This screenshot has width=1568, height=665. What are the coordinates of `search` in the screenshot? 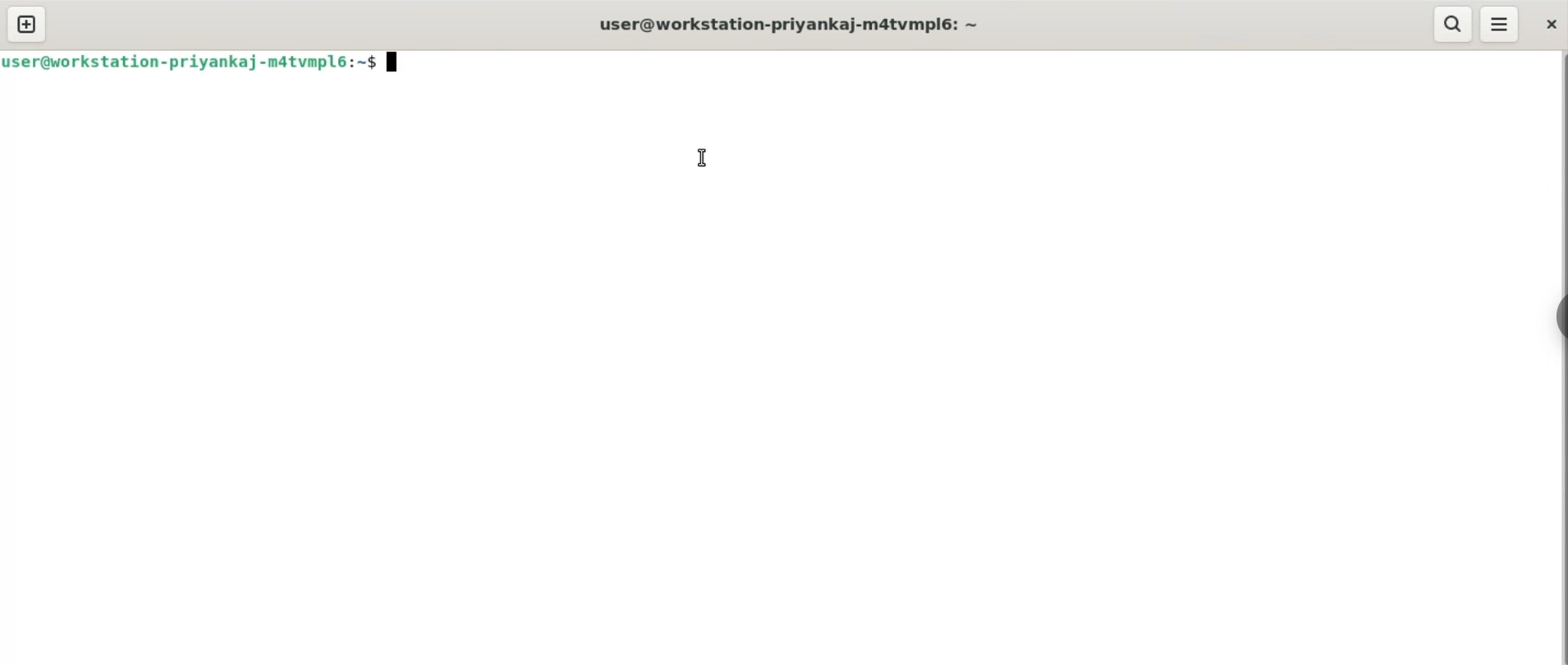 It's located at (1455, 25).